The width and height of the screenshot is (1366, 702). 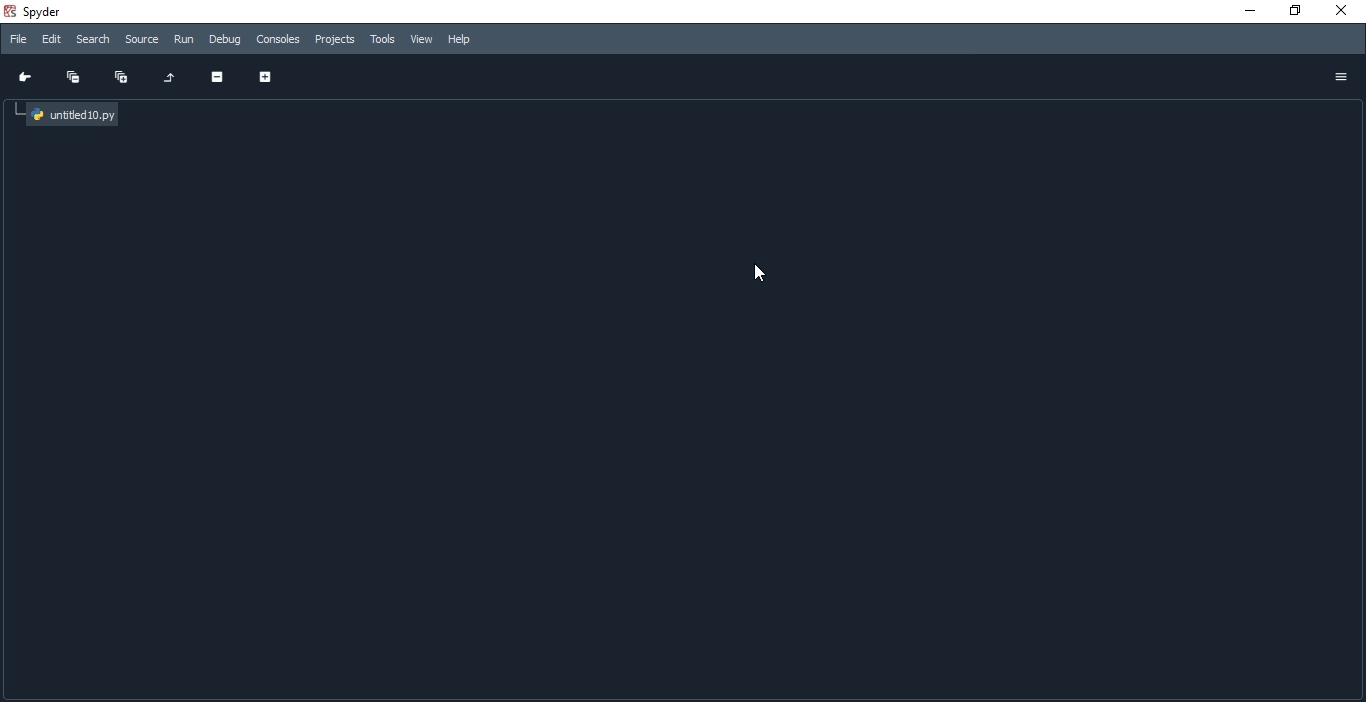 What do you see at coordinates (1298, 12) in the screenshot?
I see `restore` at bounding box center [1298, 12].